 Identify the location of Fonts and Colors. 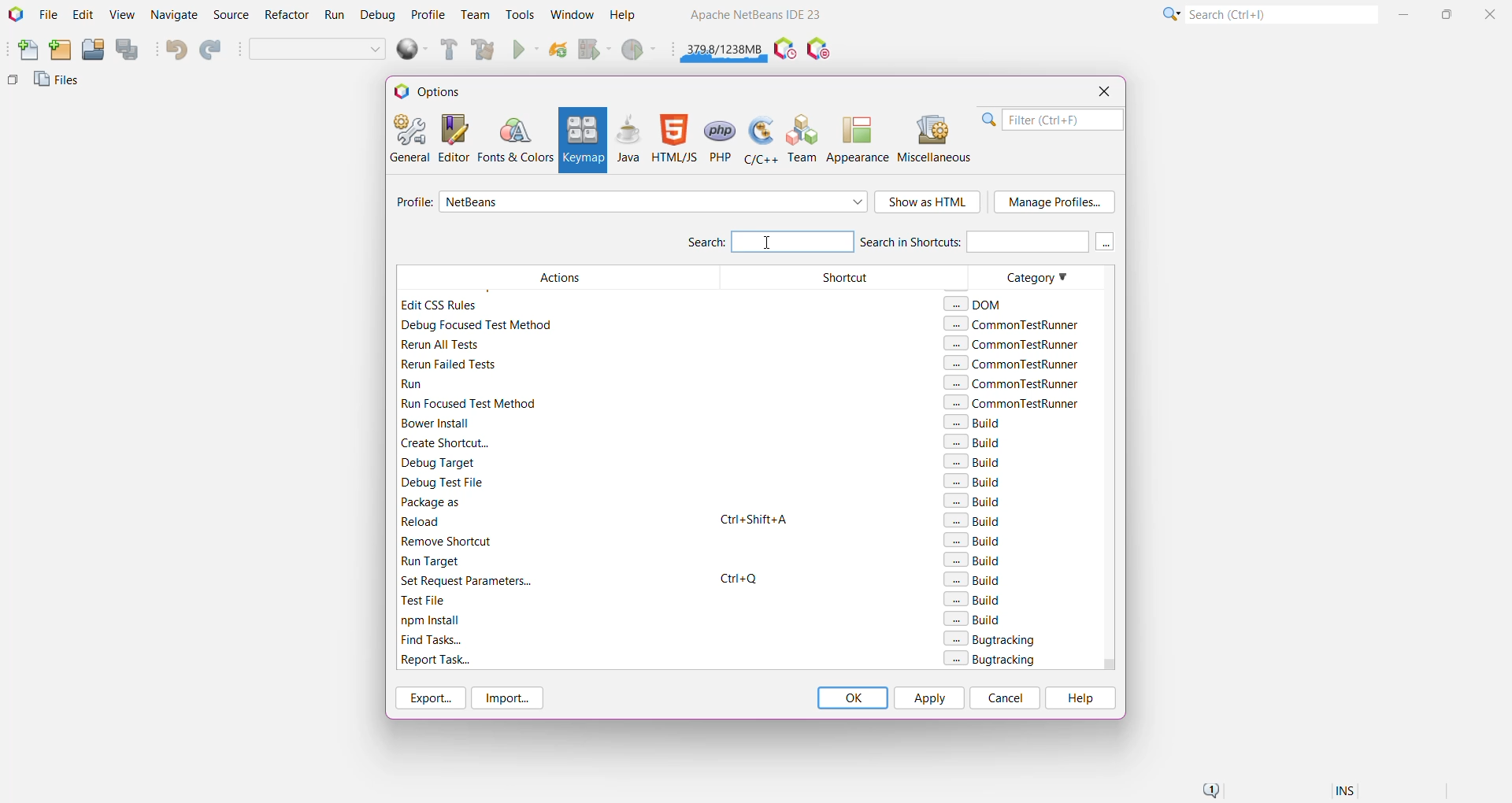
(515, 139).